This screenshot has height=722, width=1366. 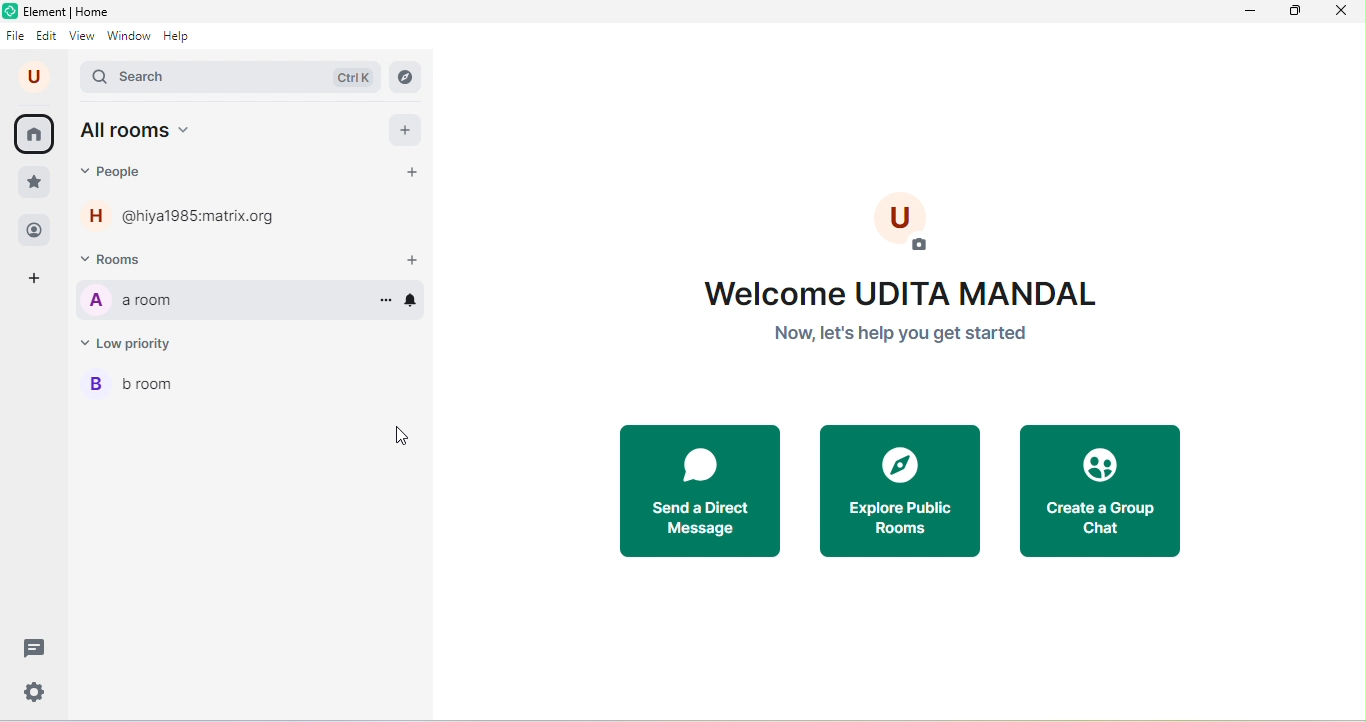 I want to click on add, so click(x=406, y=129).